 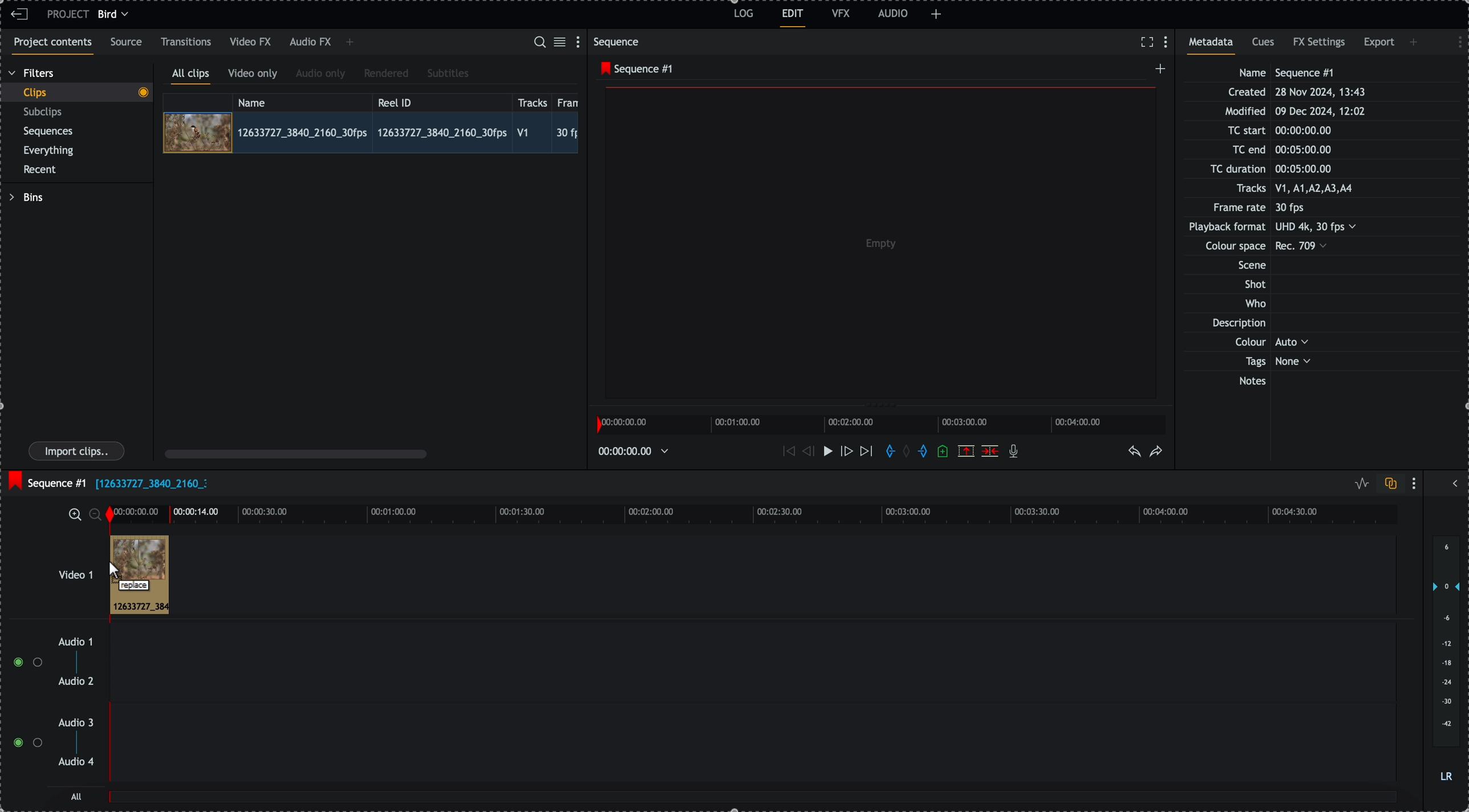 What do you see at coordinates (787, 453) in the screenshot?
I see `move backward` at bounding box center [787, 453].